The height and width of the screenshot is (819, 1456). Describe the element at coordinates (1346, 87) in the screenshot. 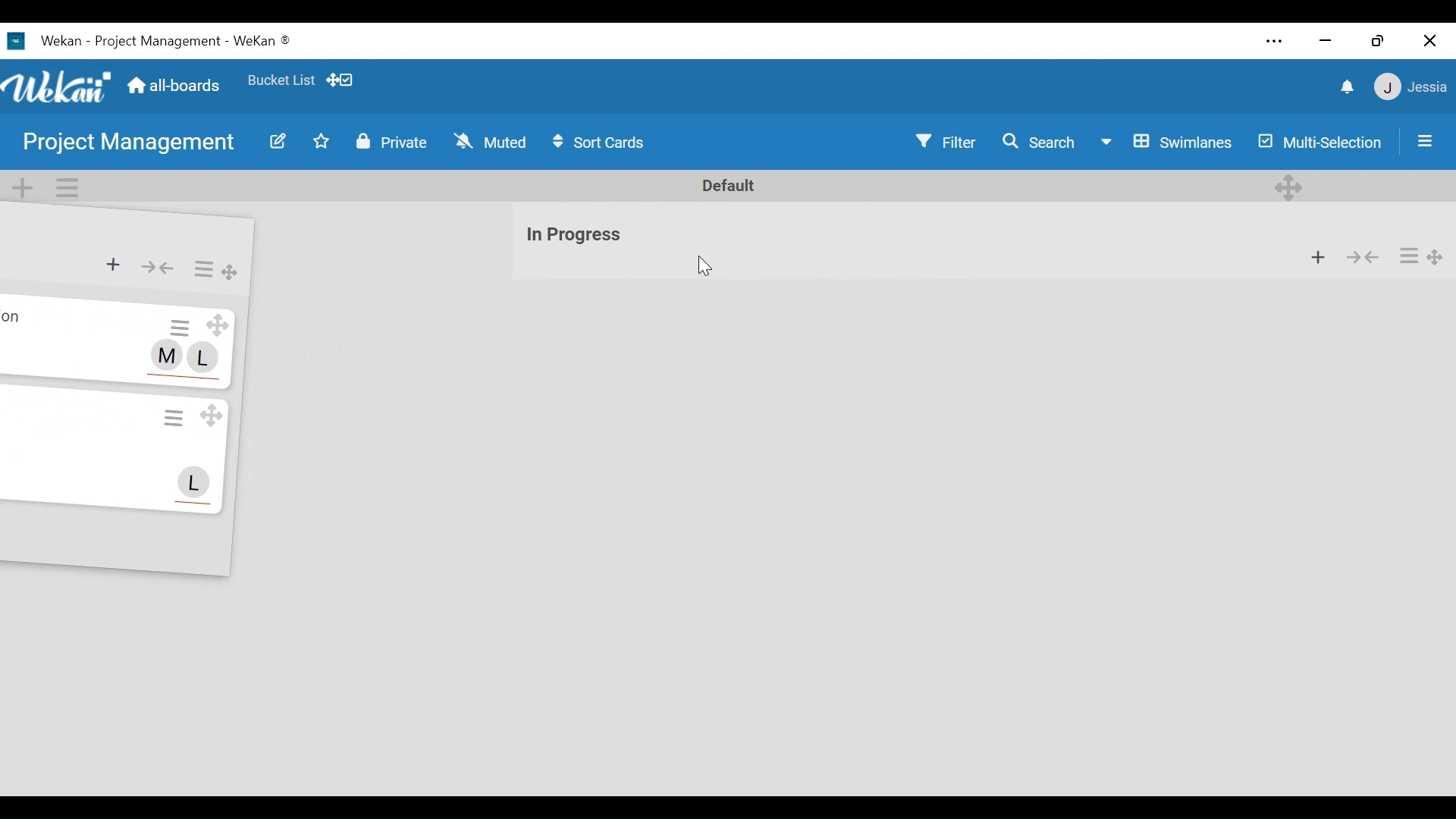

I see `notifications` at that location.